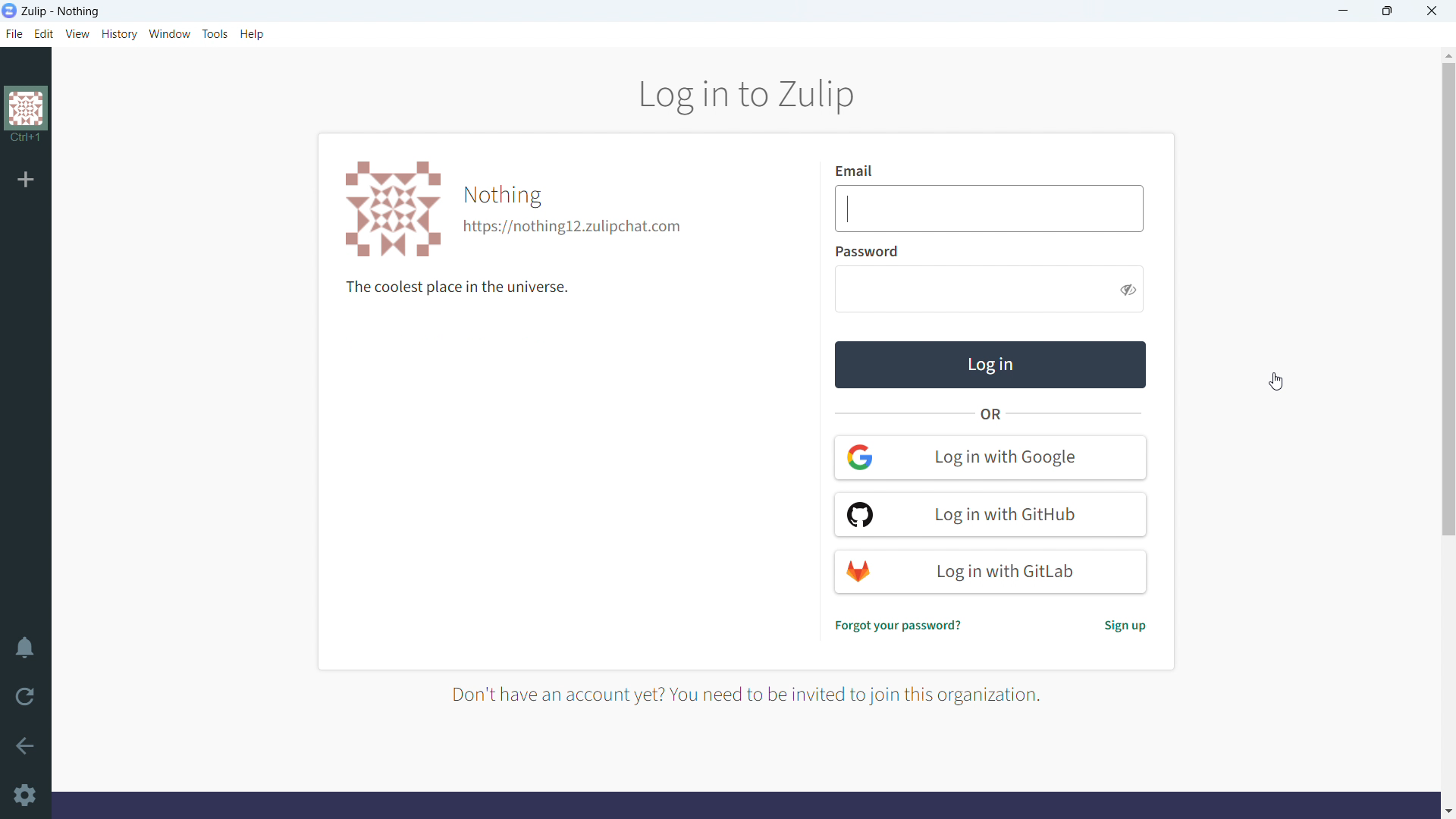 This screenshot has width=1456, height=819. Describe the element at coordinates (1282, 385) in the screenshot. I see `cursor` at that location.